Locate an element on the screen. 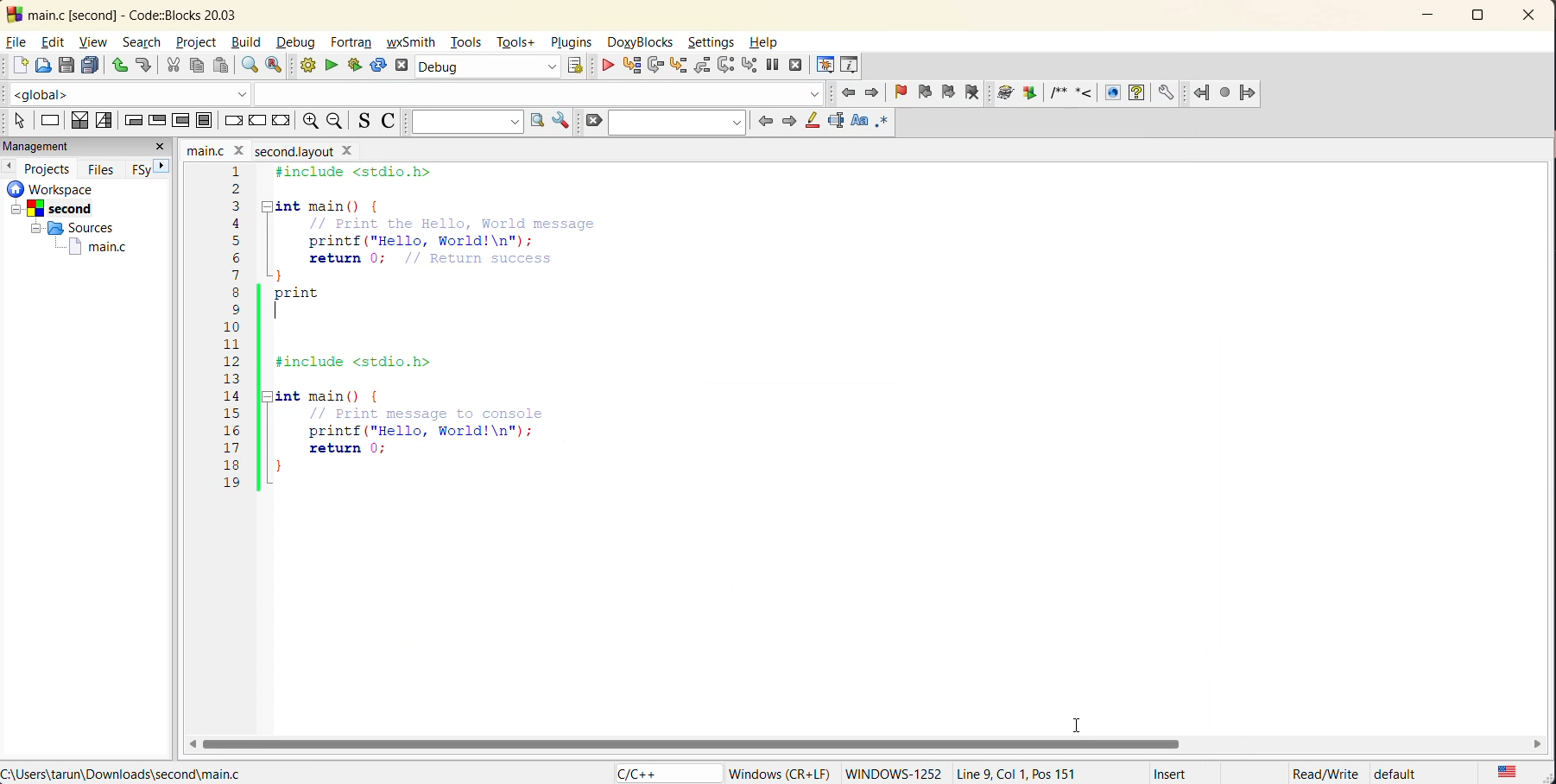  search is located at coordinates (145, 42).